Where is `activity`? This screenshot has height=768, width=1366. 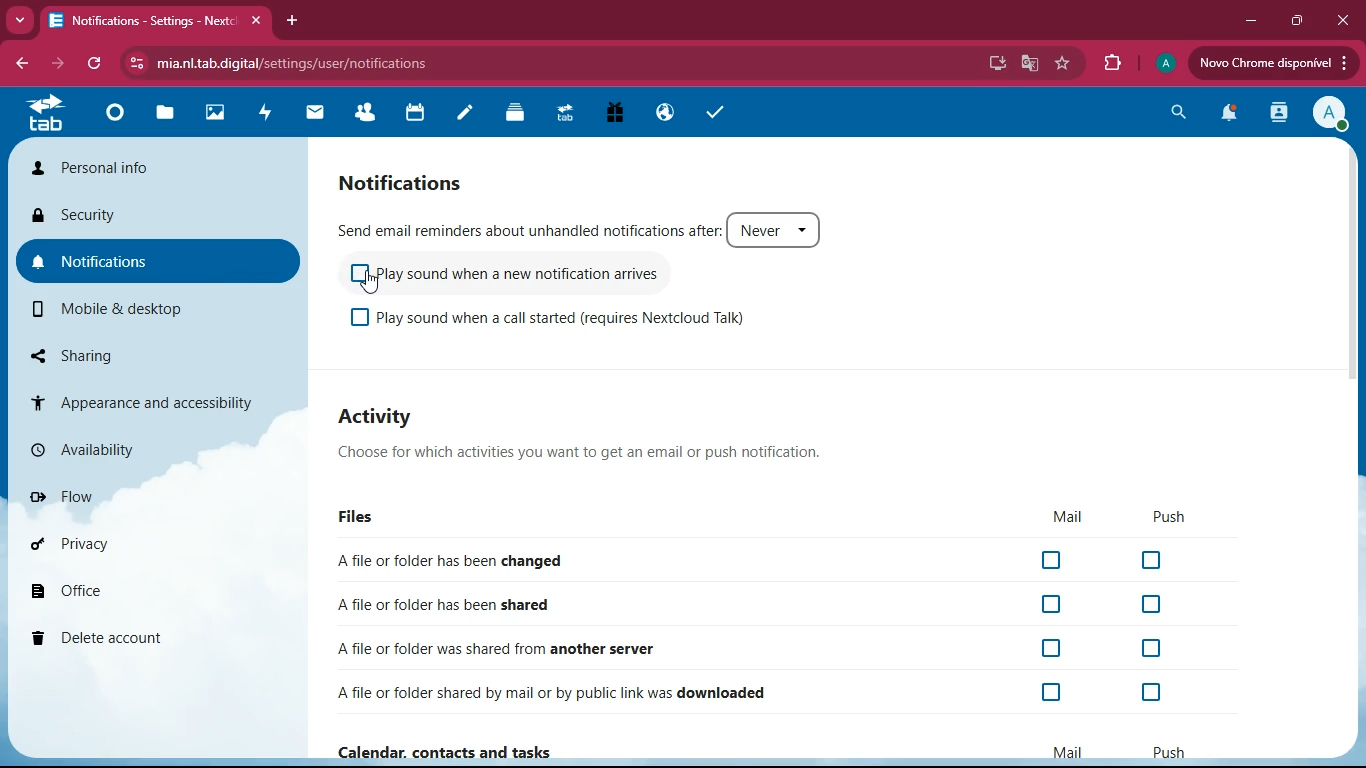
activity is located at coordinates (270, 114).